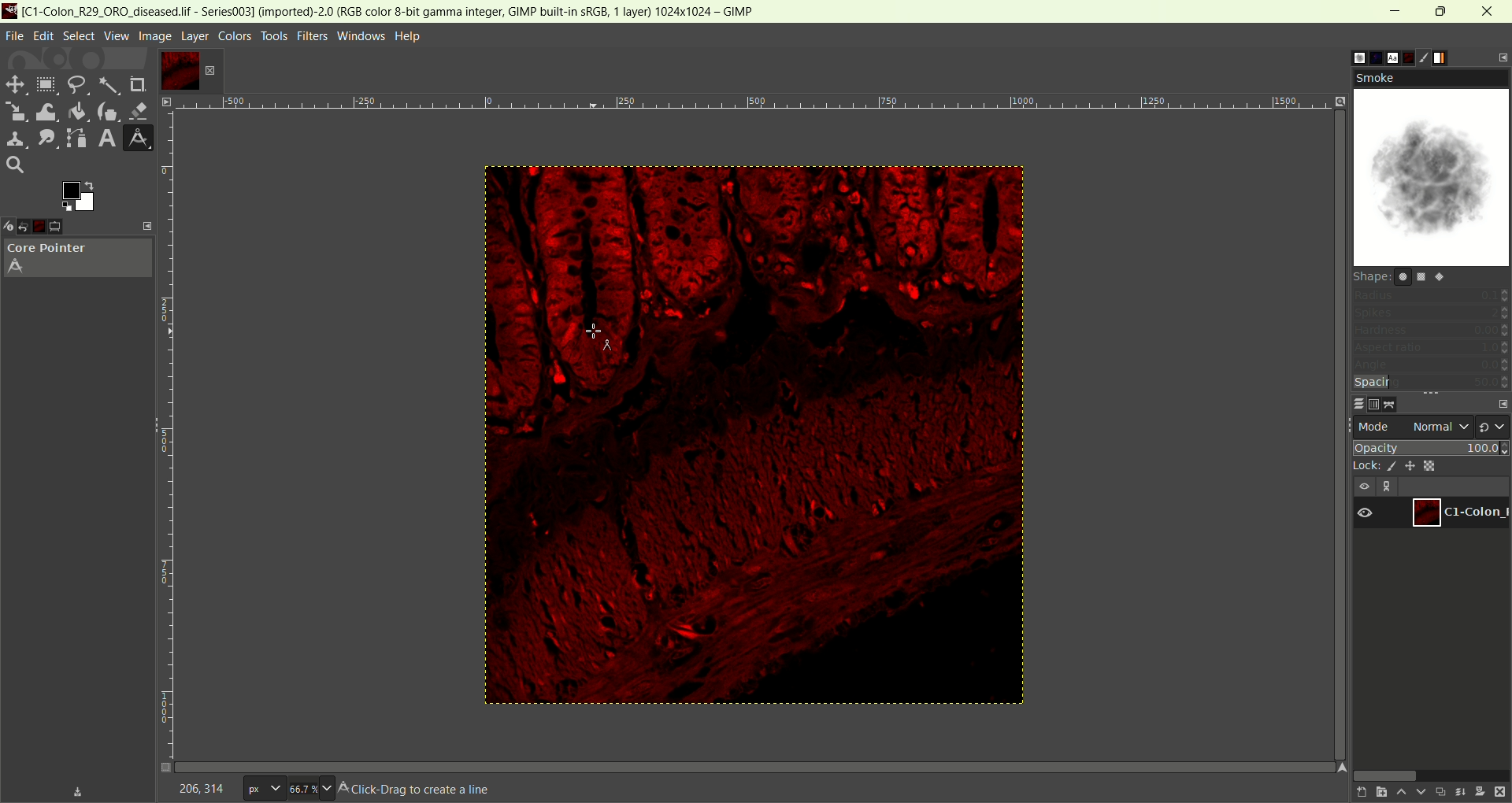  What do you see at coordinates (1329, 267) in the screenshot?
I see `vertical scroll bar` at bounding box center [1329, 267].